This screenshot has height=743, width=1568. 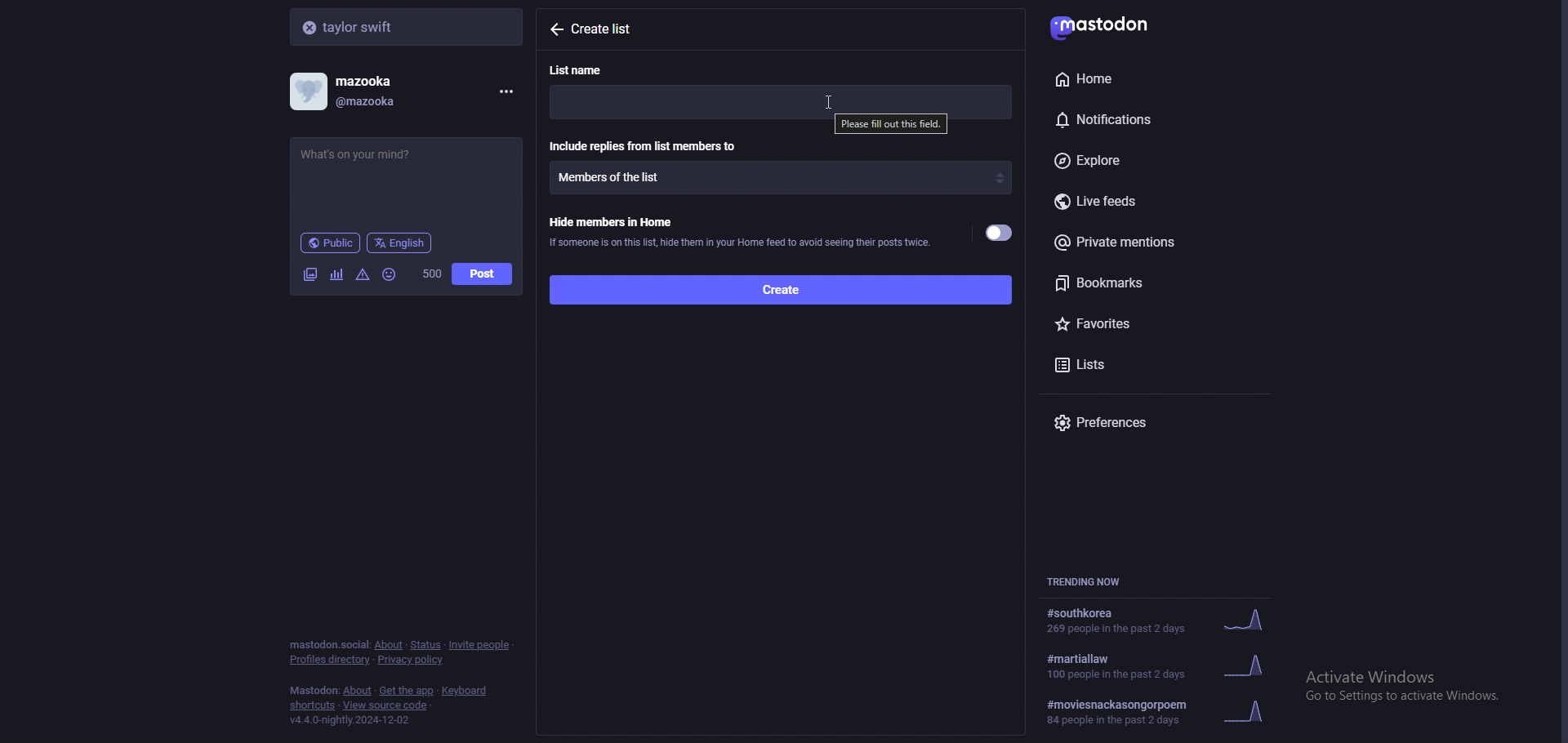 I want to click on notifications, so click(x=1138, y=117).